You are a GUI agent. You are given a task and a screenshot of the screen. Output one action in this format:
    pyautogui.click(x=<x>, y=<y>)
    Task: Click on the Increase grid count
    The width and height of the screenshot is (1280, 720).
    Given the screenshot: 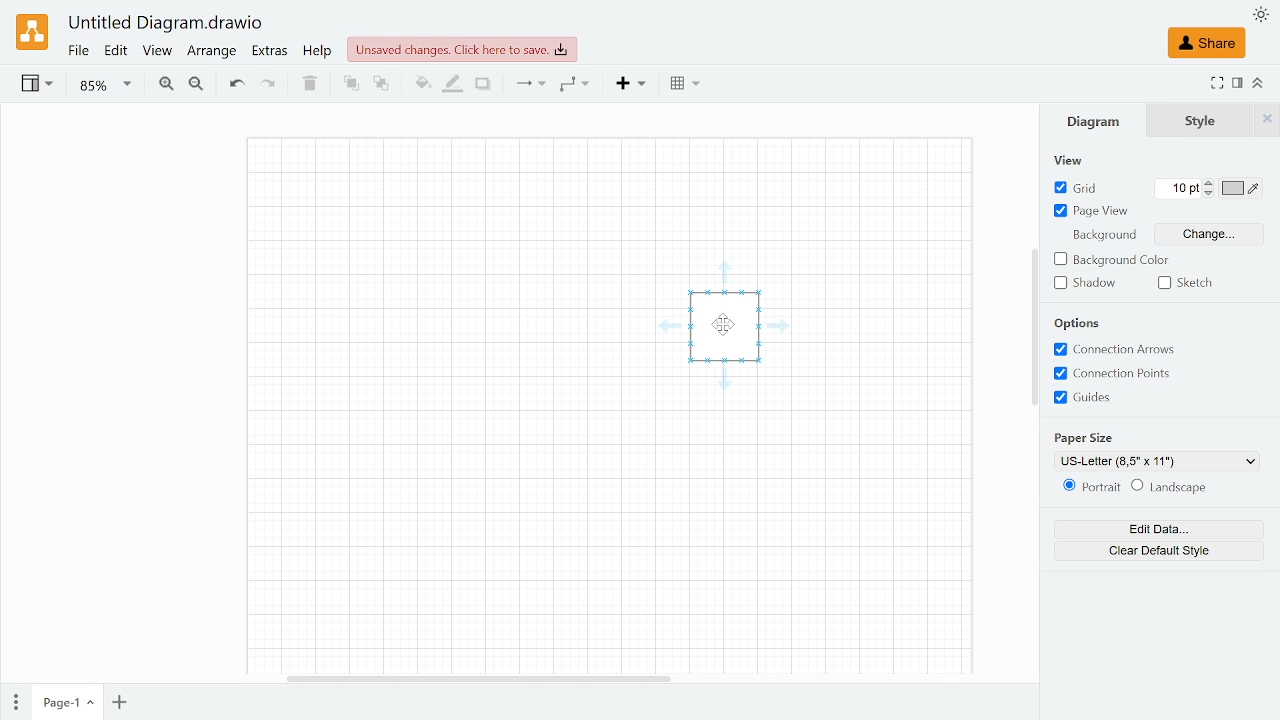 What is the action you would take?
    pyautogui.click(x=1212, y=182)
    